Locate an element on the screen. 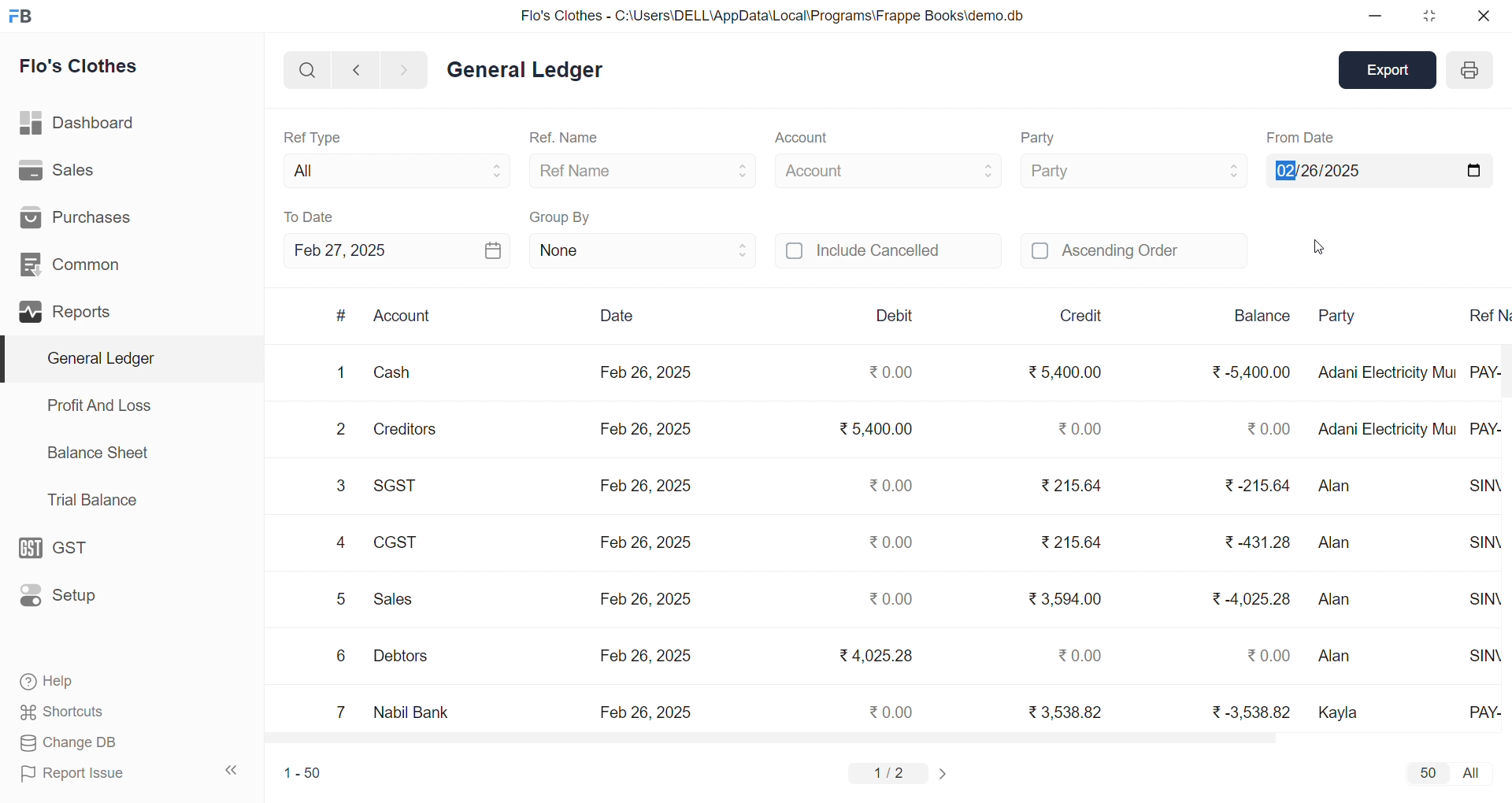 The height and width of the screenshot is (803, 1512). Group By is located at coordinates (561, 215).